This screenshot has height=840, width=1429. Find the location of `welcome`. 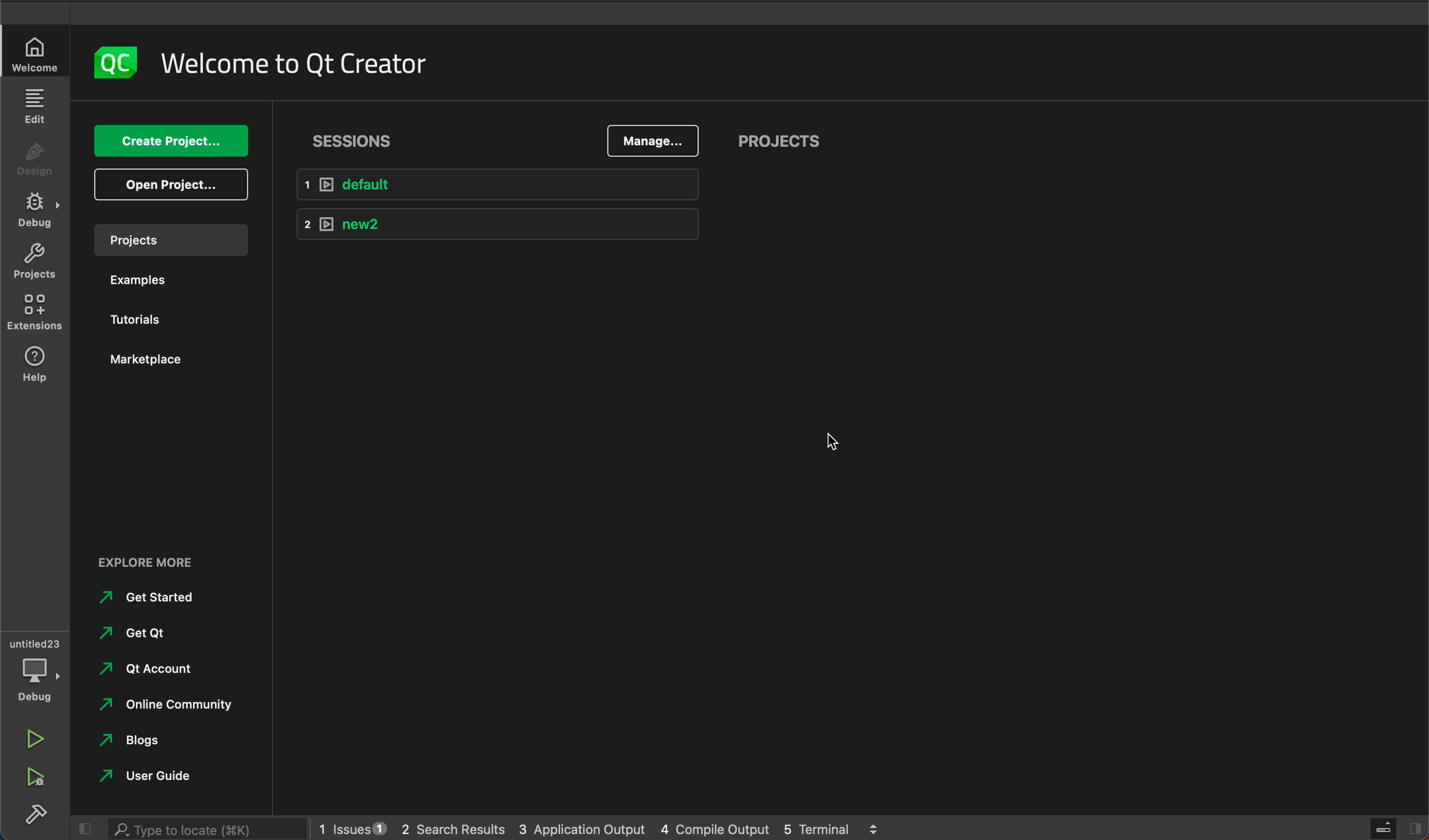

welcome is located at coordinates (293, 60).